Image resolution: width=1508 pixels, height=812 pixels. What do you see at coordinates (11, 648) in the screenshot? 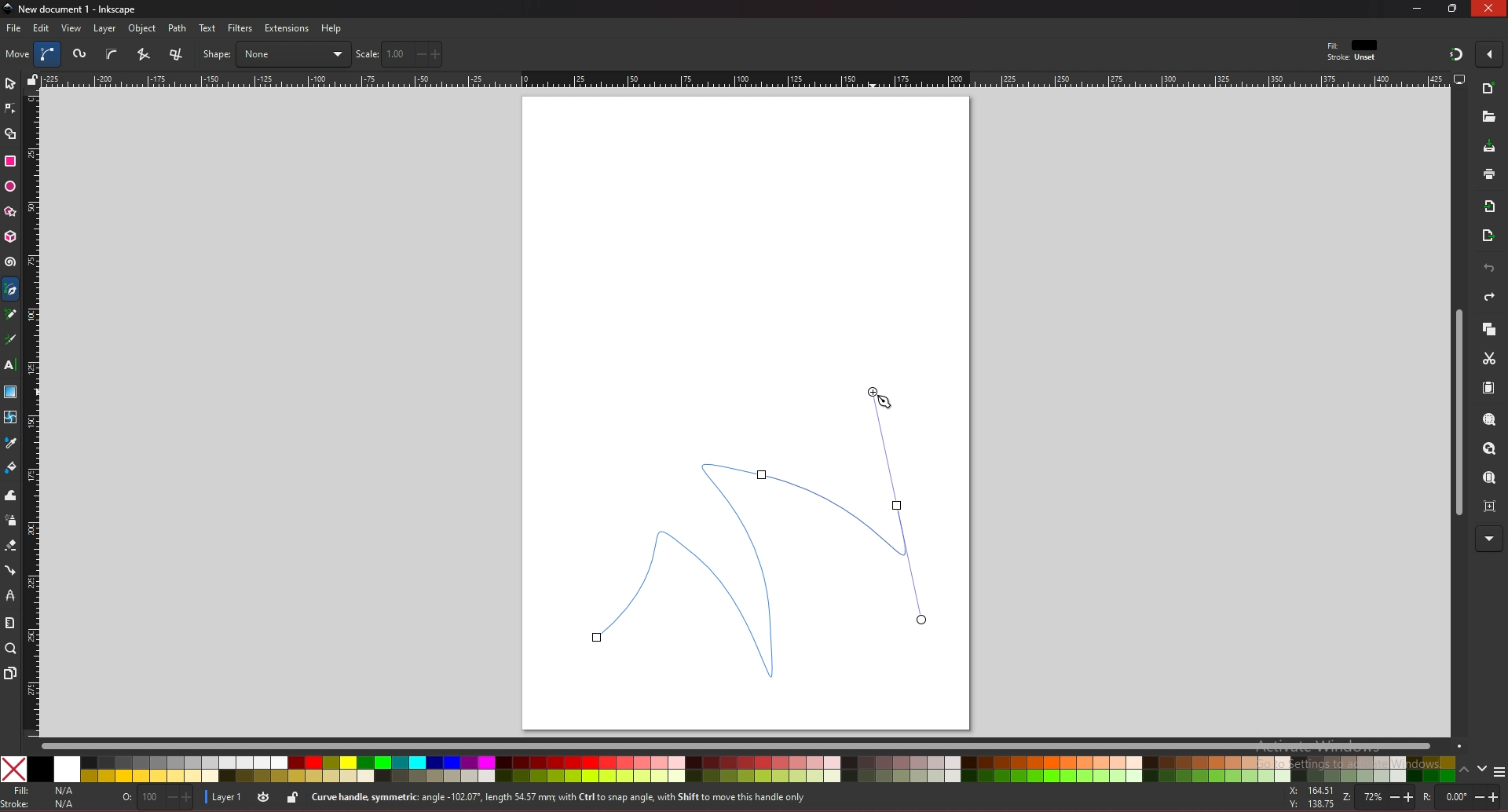
I see `zoom` at bounding box center [11, 648].